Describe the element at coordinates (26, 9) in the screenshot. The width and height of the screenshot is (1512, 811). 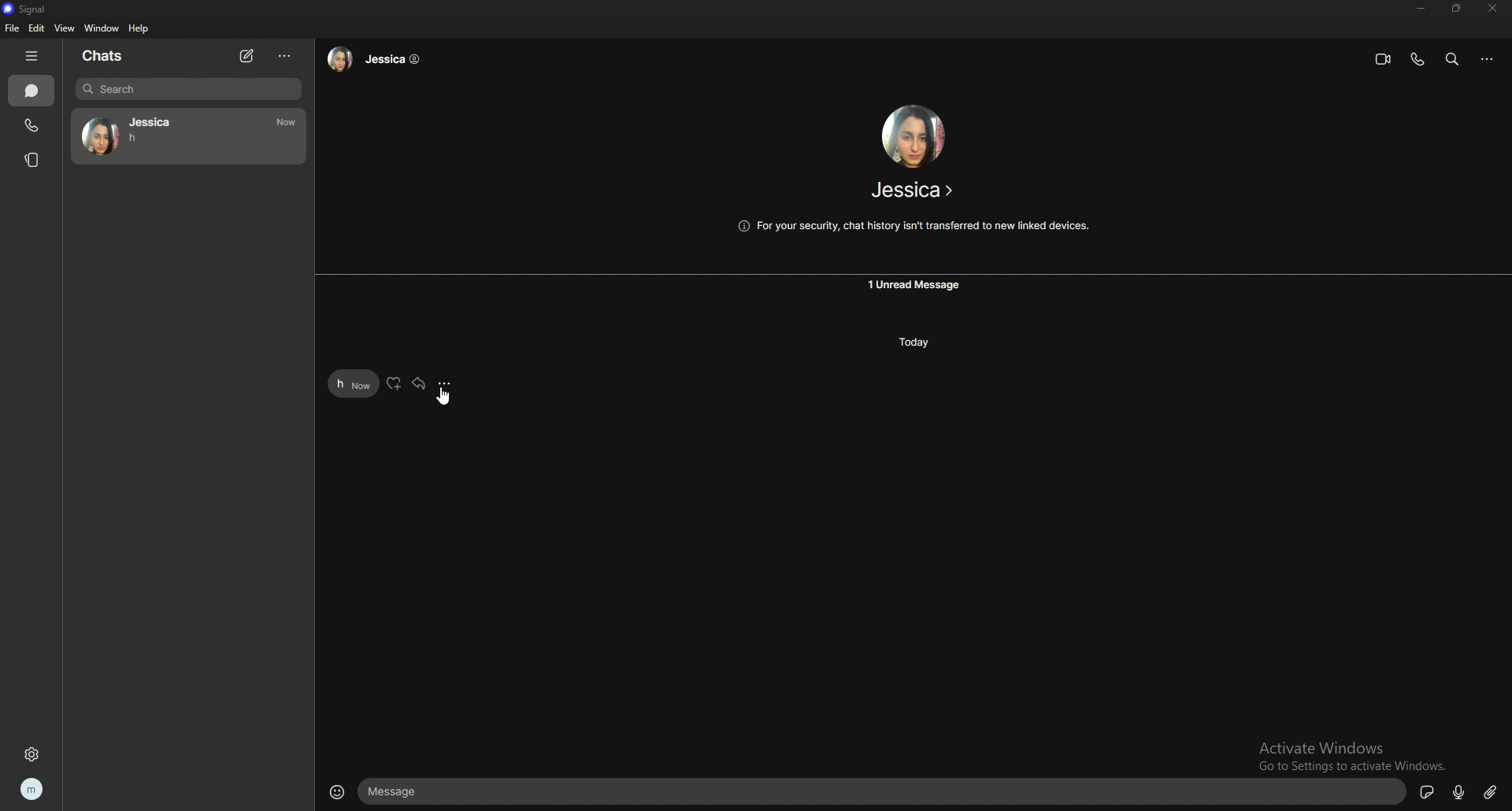
I see `signal` at that location.